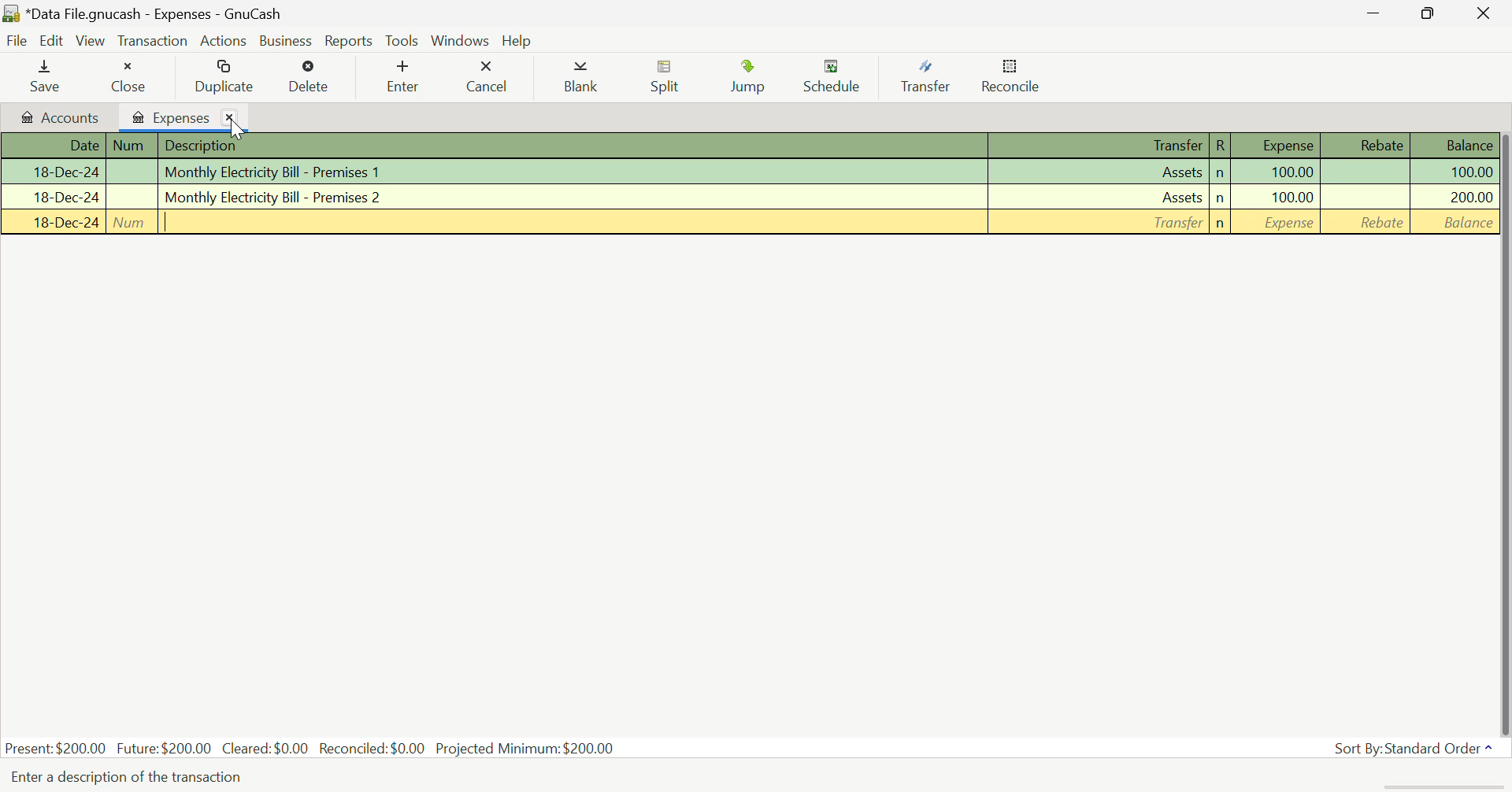  What do you see at coordinates (925, 77) in the screenshot?
I see `Transfer` at bounding box center [925, 77].